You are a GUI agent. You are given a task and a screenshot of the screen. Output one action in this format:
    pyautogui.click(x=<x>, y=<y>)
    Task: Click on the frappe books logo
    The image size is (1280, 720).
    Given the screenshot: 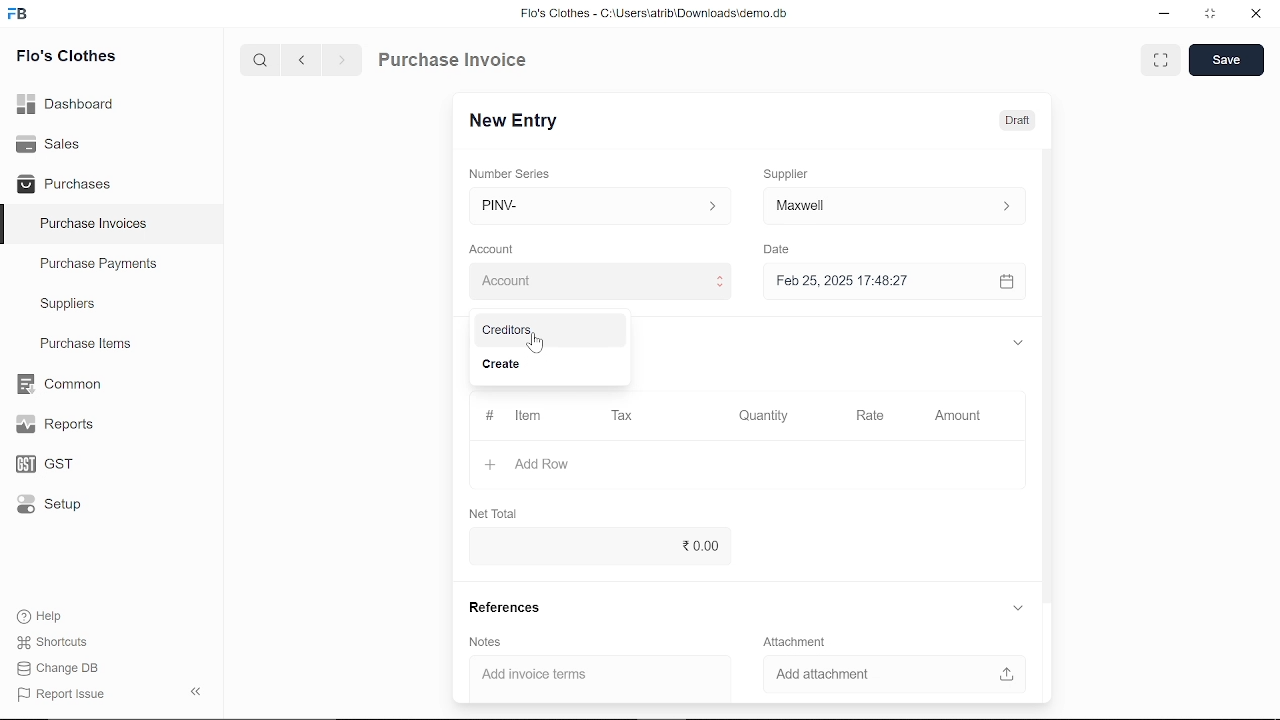 What is the action you would take?
    pyautogui.click(x=22, y=15)
    